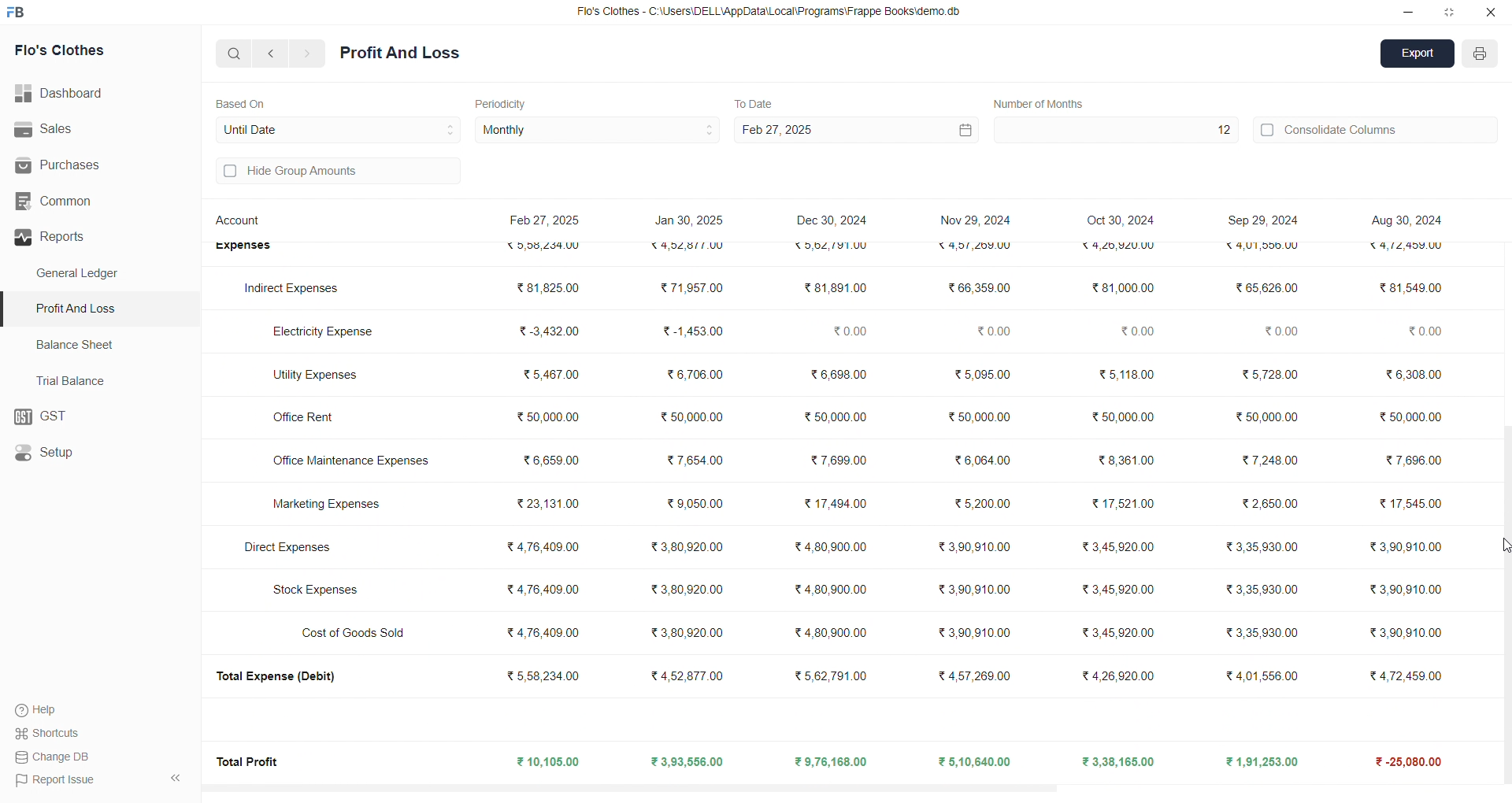 Image resolution: width=1512 pixels, height=803 pixels. What do you see at coordinates (1408, 376) in the screenshot?
I see `6,308.00` at bounding box center [1408, 376].